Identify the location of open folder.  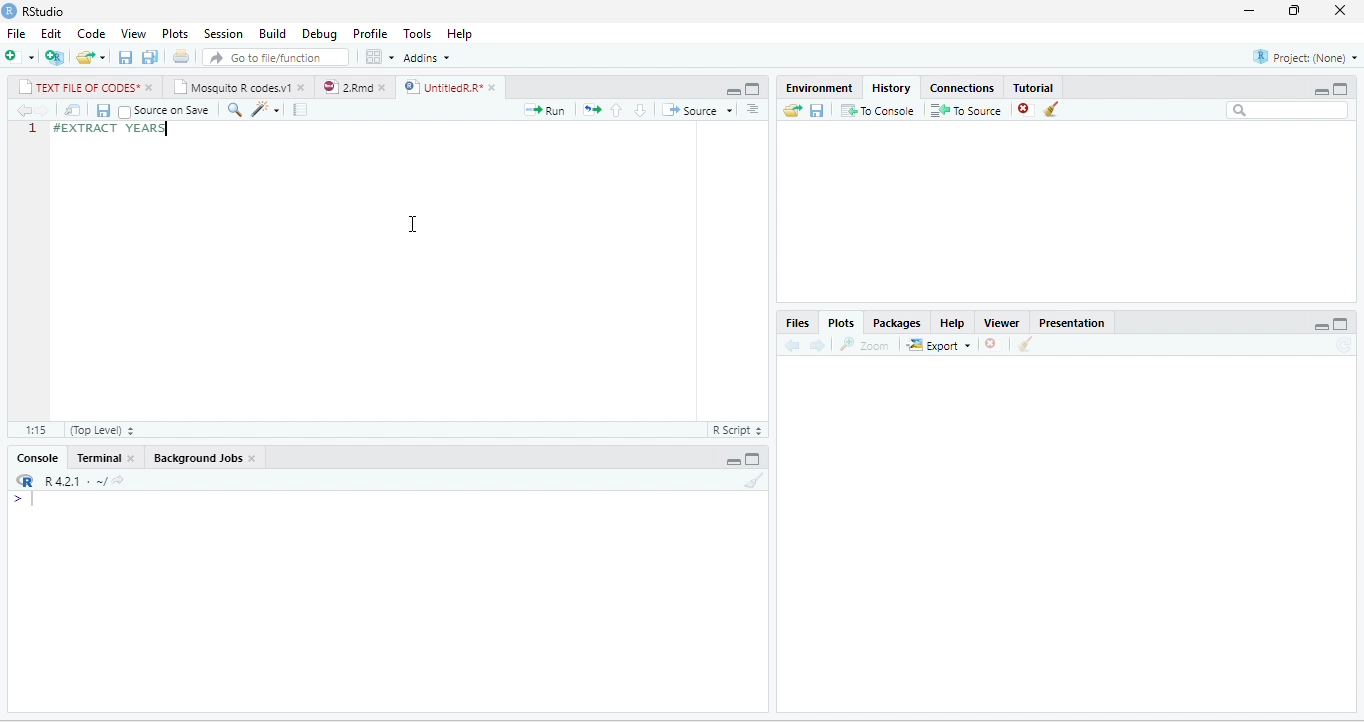
(793, 110).